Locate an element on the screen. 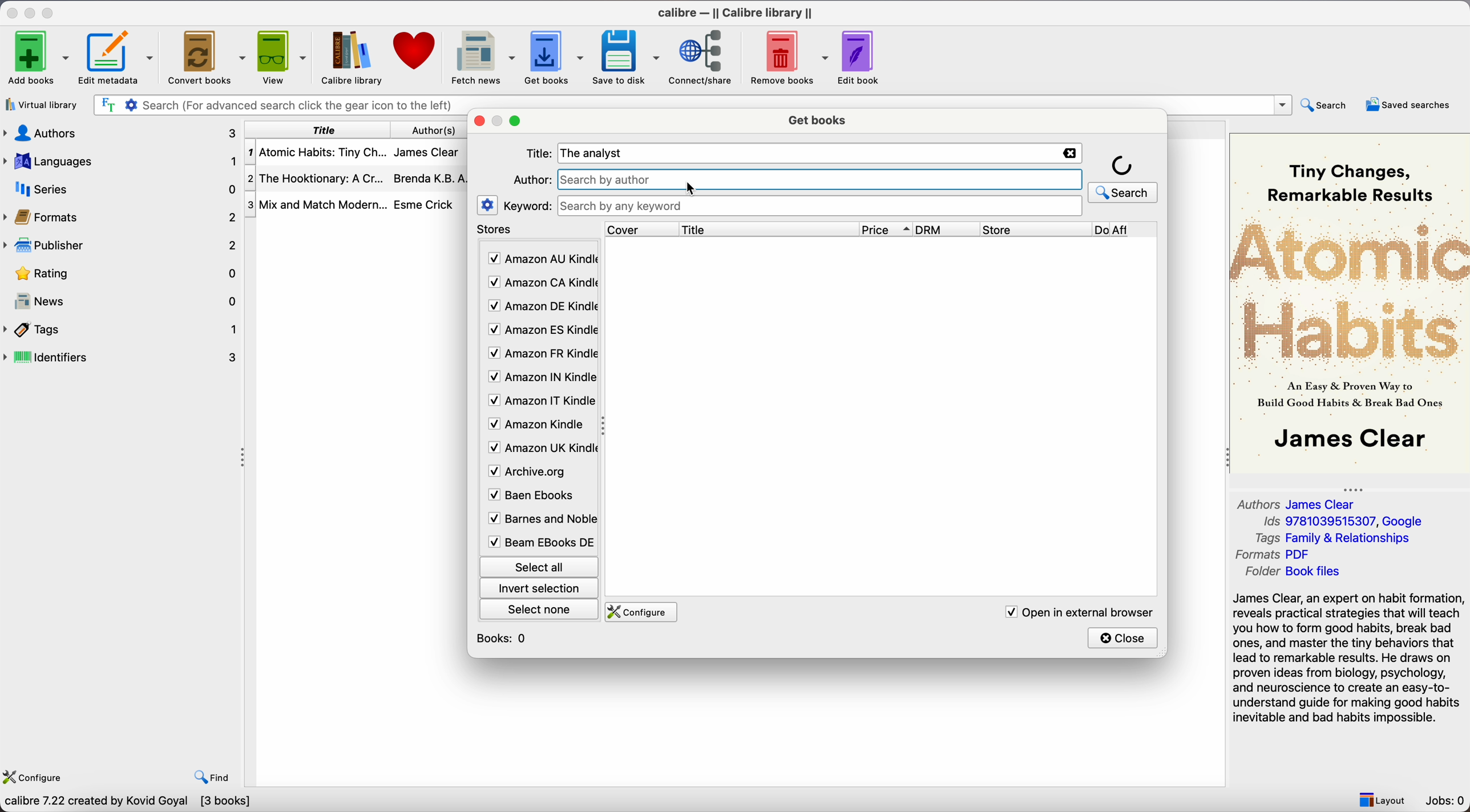 The height and width of the screenshot is (812, 1470). keyword is located at coordinates (528, 207).